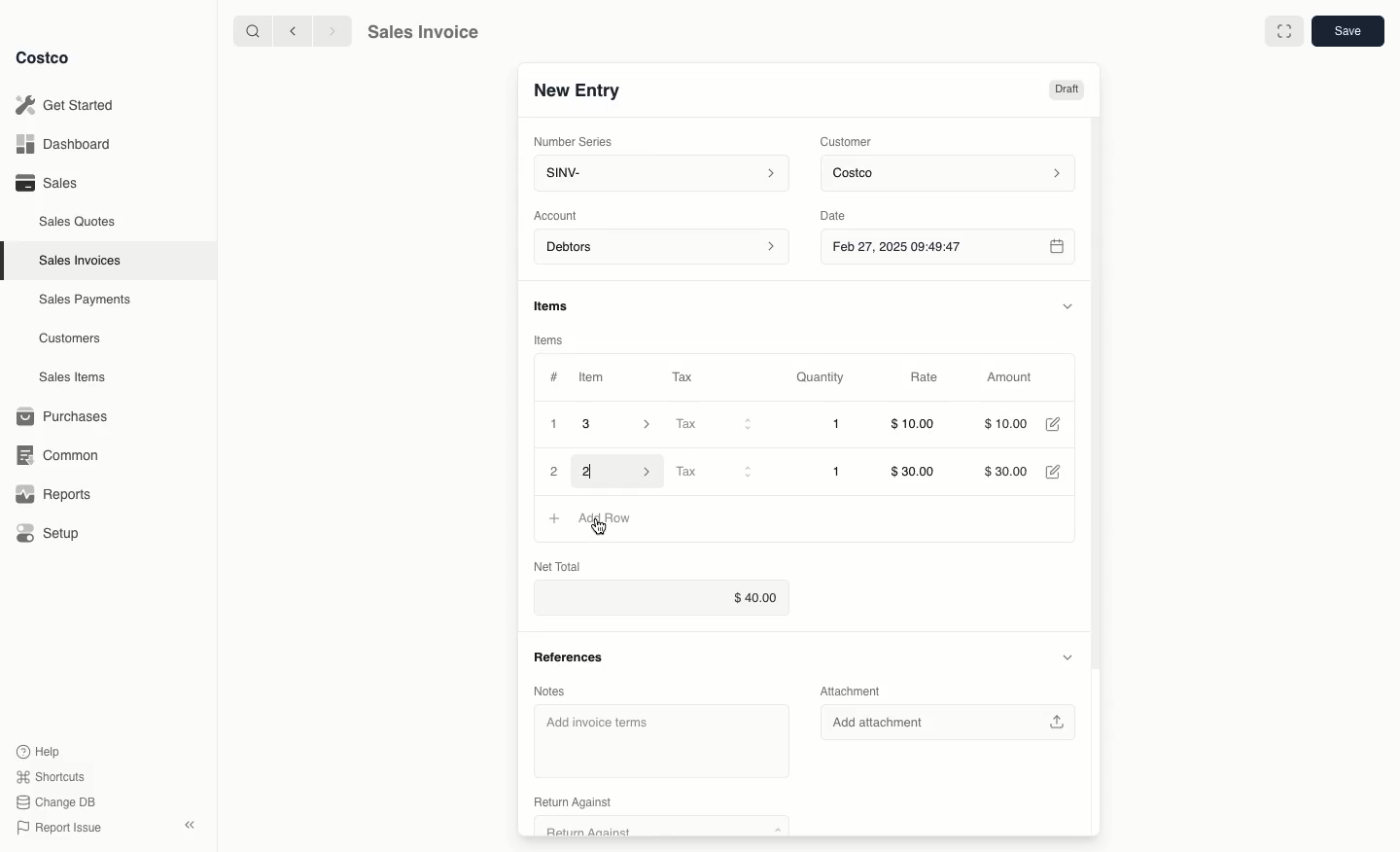 This screenshot has width=1400, height=852. Describe the element at coordinates (687, 376) in the screenshot. I see `Tax` at that location.